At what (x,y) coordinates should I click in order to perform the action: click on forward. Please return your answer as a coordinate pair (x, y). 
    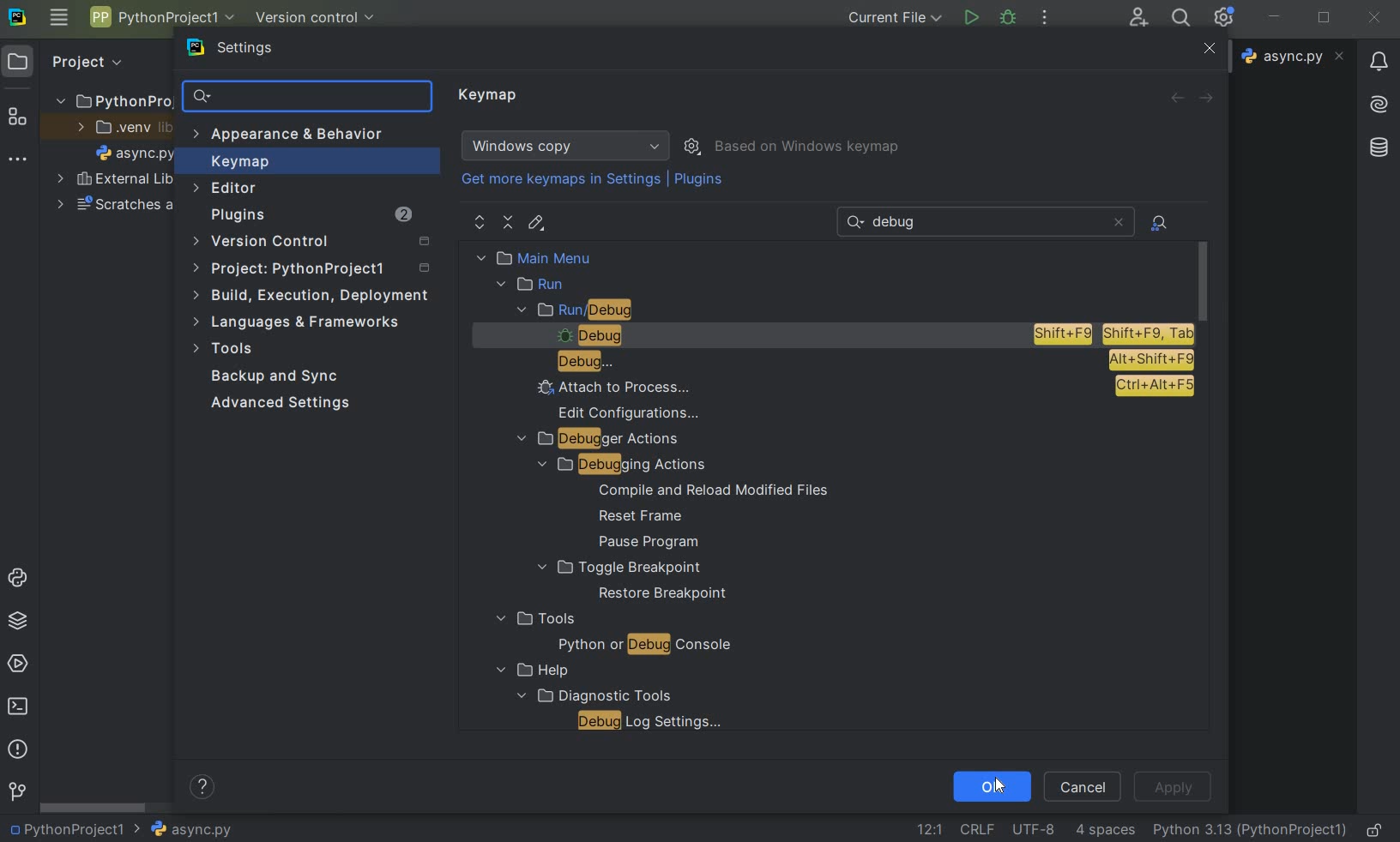
    Looking at the image, I should click on (1210, 99).